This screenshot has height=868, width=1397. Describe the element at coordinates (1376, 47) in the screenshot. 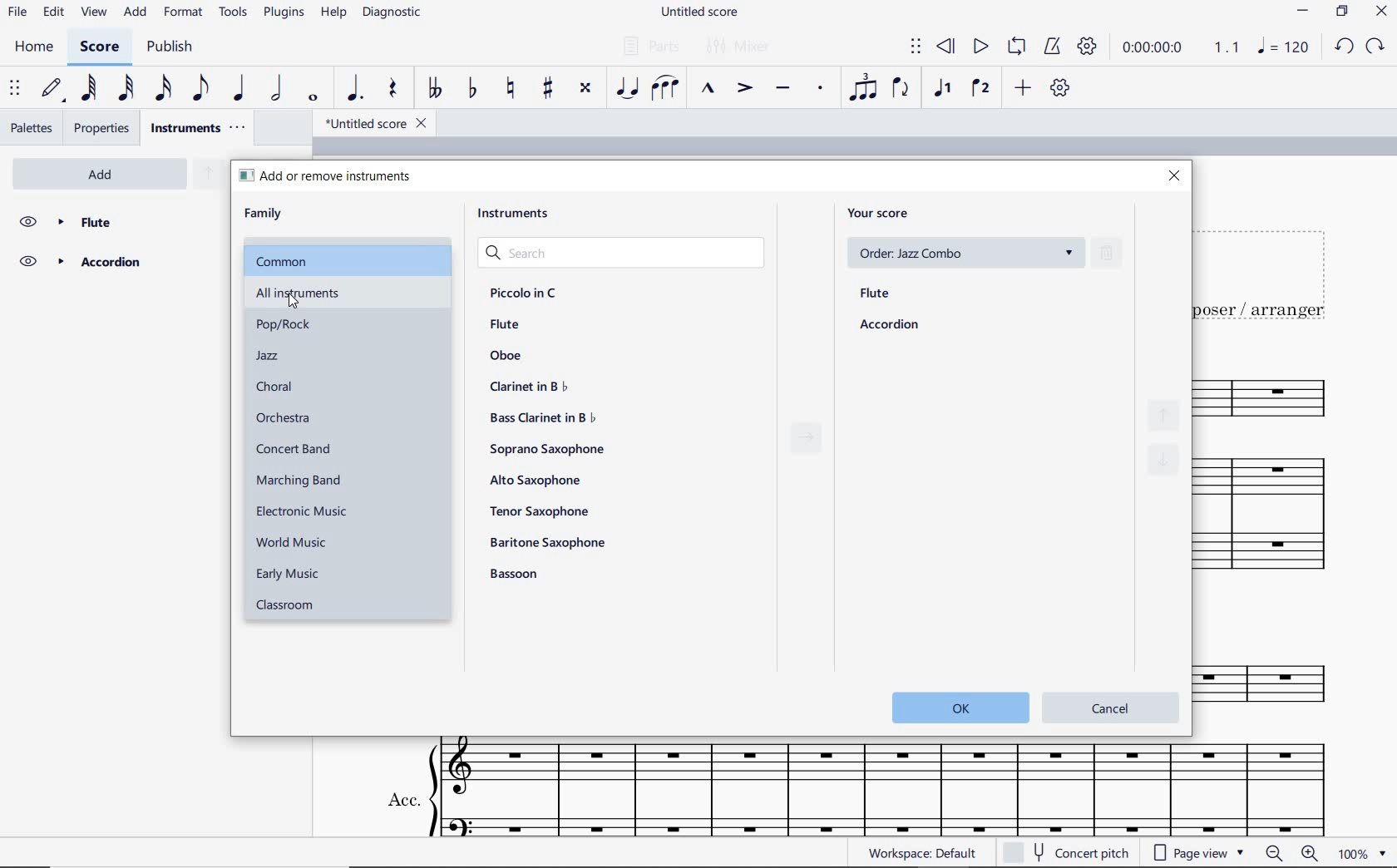

I see `REDO` at that location.